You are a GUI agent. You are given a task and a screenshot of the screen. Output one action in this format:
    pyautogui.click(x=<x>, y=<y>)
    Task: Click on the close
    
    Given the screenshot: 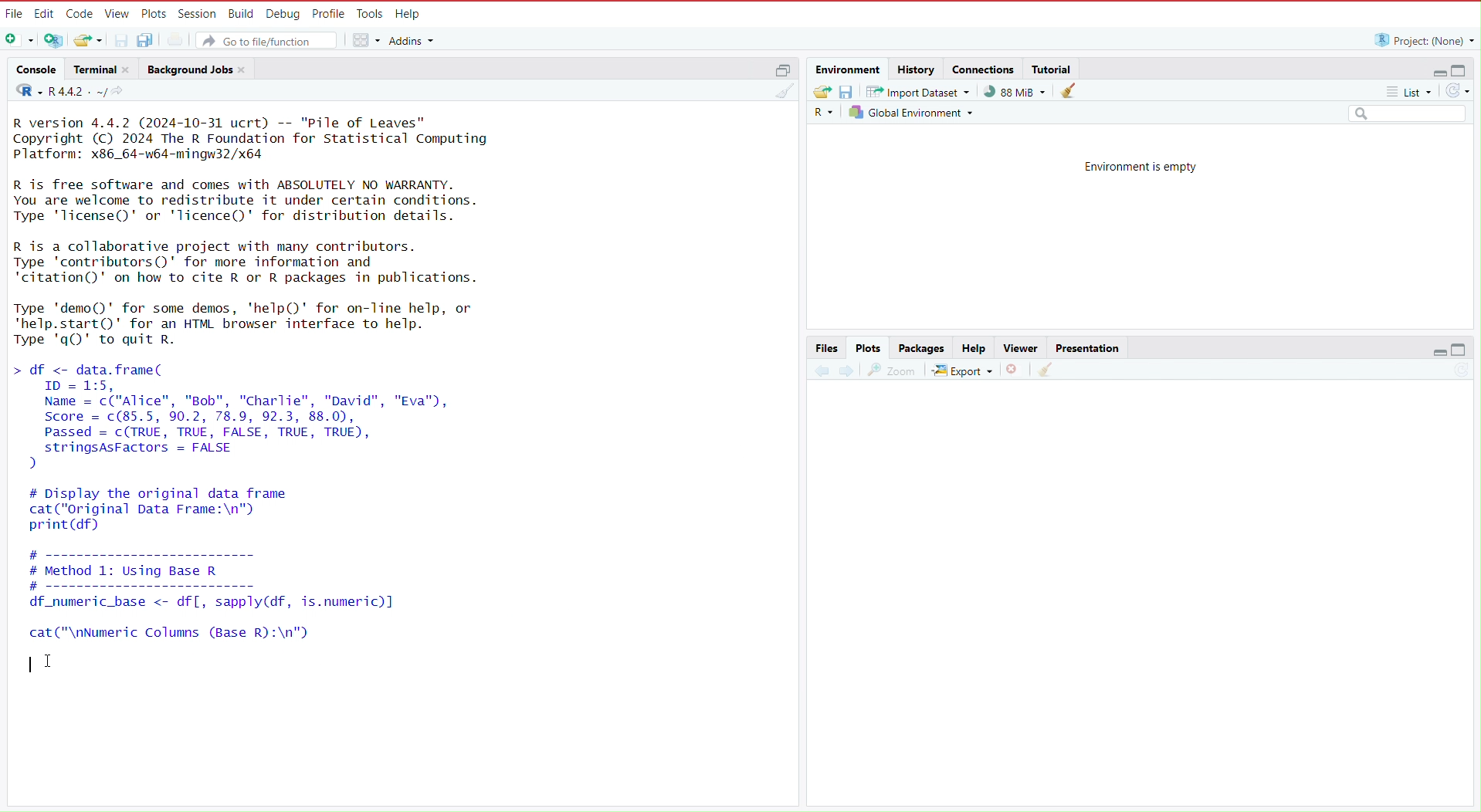 What is the action you would take?
    pyautogui.click(x=129, y=69)
    